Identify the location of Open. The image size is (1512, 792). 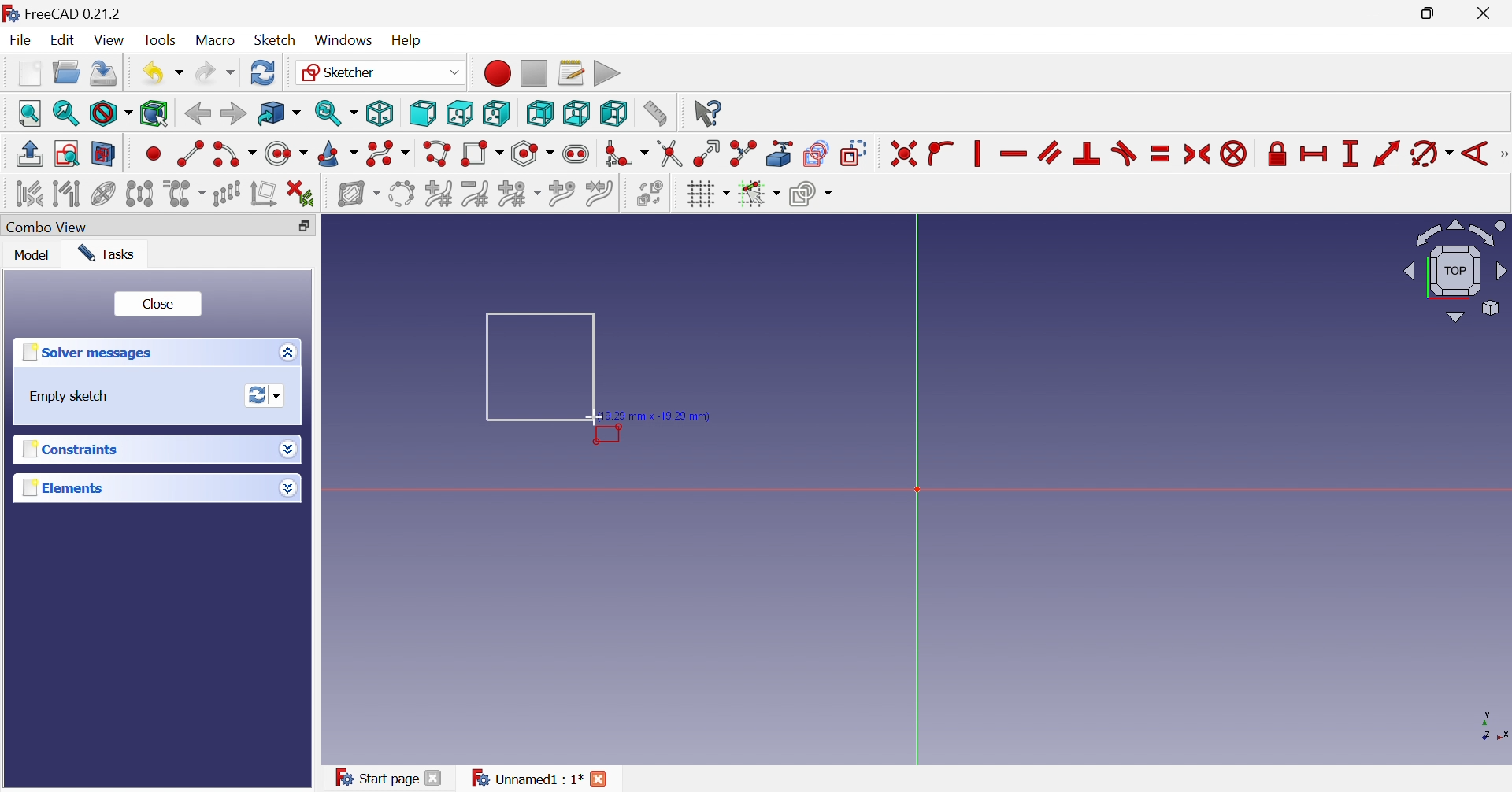
(66, 72).